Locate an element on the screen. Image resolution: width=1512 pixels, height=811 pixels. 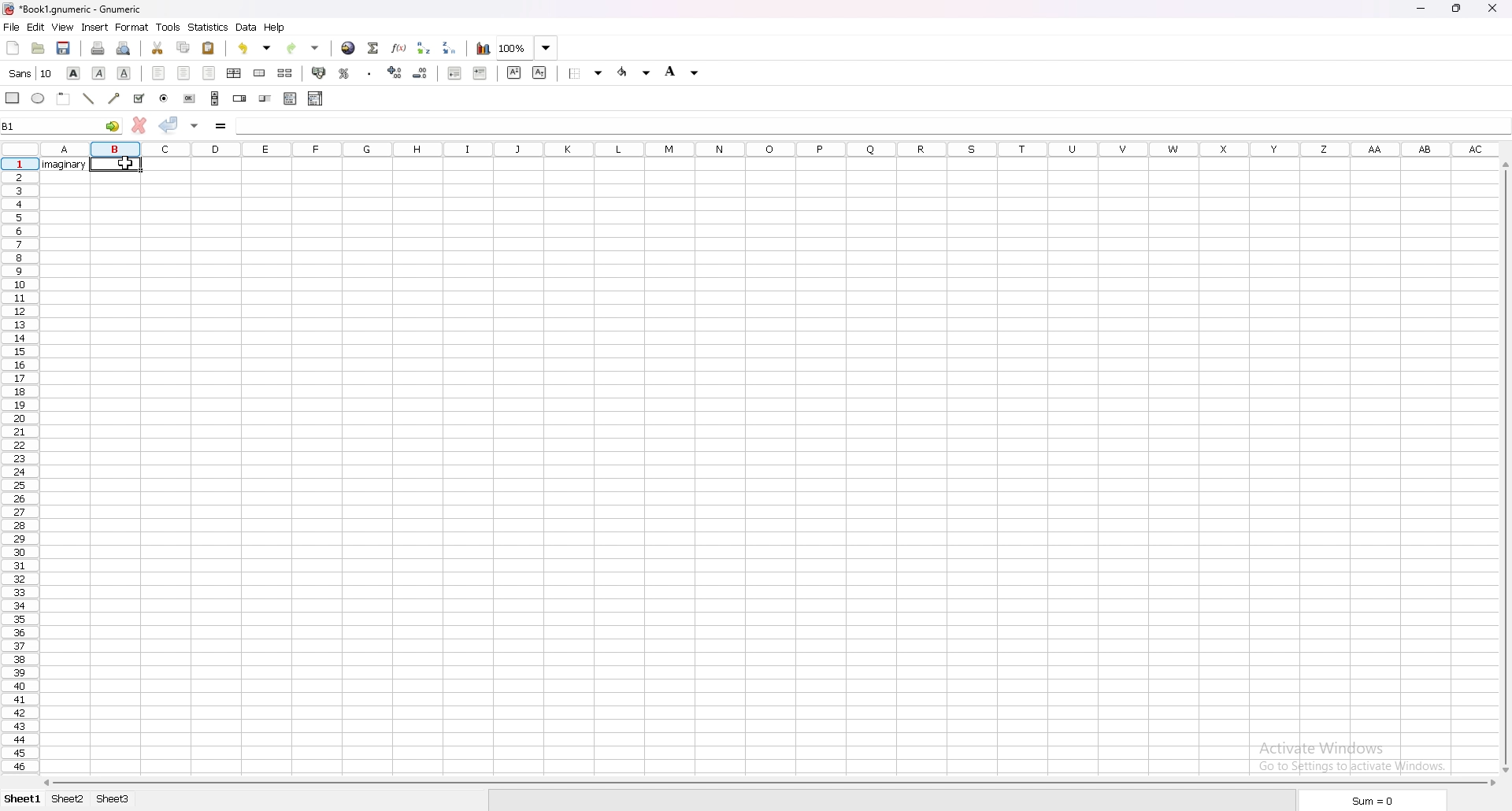
print preview is located at coordinates (124, 48).